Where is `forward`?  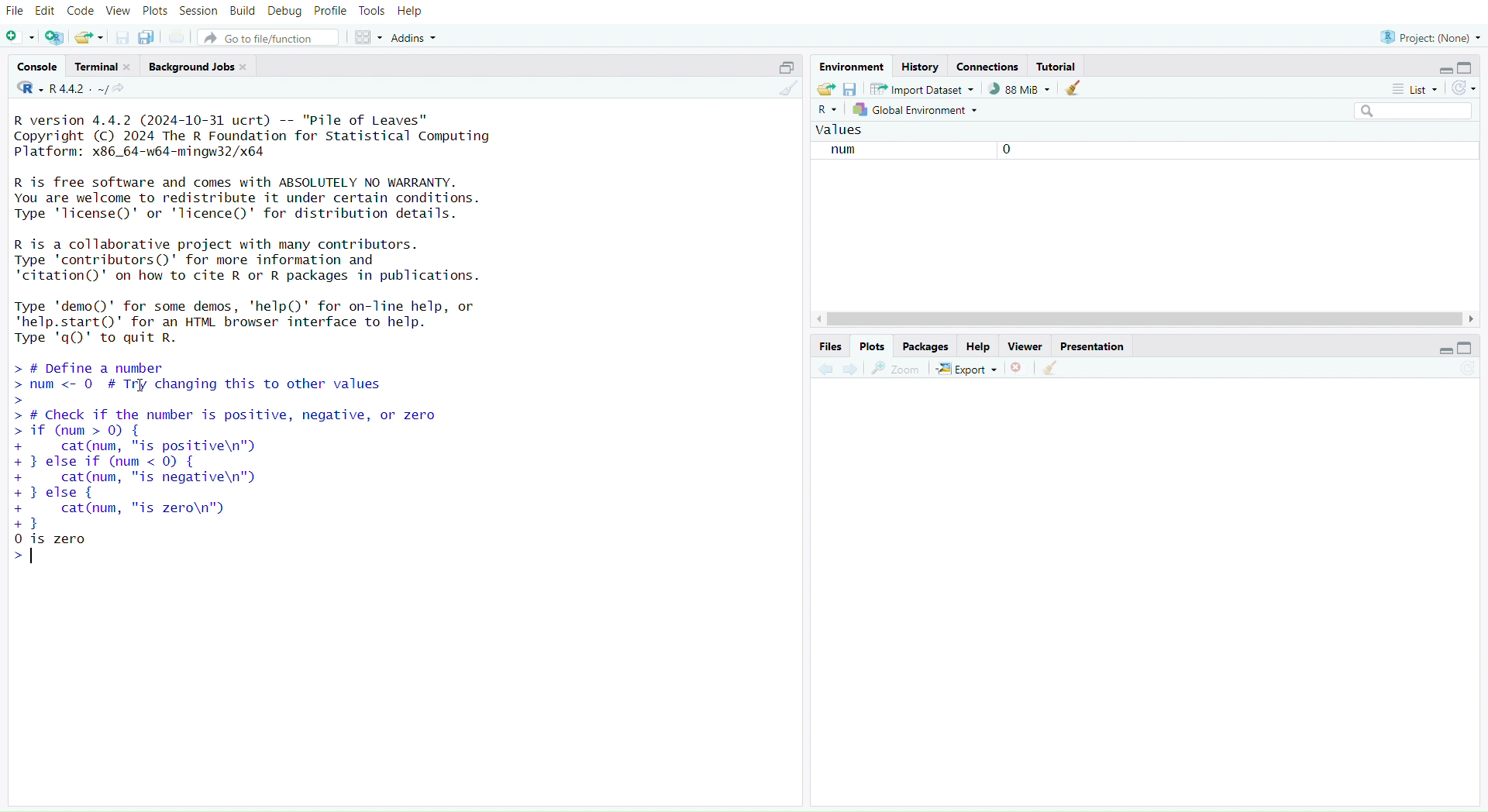 forward is located at coordinates (852, 370).